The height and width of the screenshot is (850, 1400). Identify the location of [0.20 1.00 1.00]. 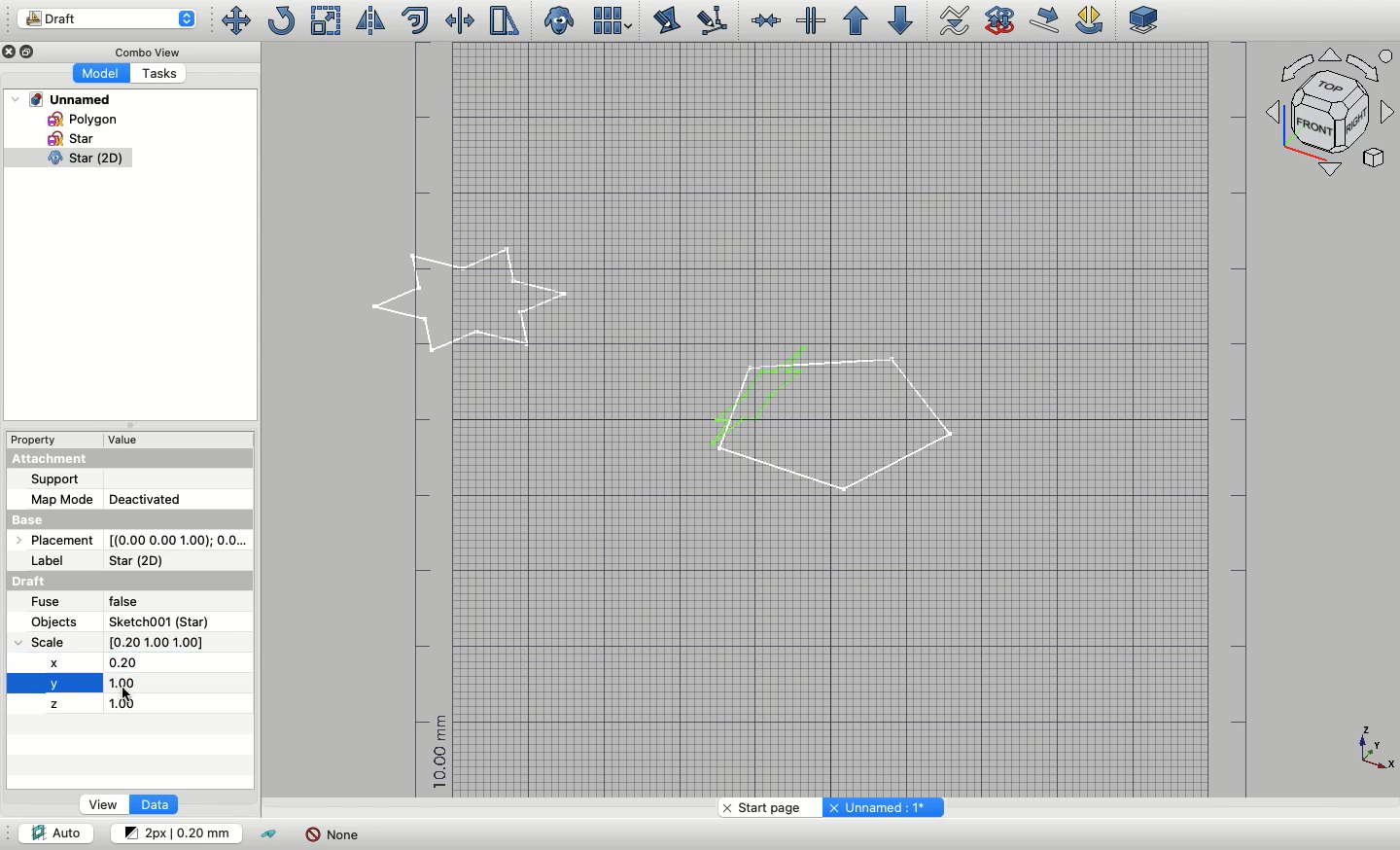
(177, 642).